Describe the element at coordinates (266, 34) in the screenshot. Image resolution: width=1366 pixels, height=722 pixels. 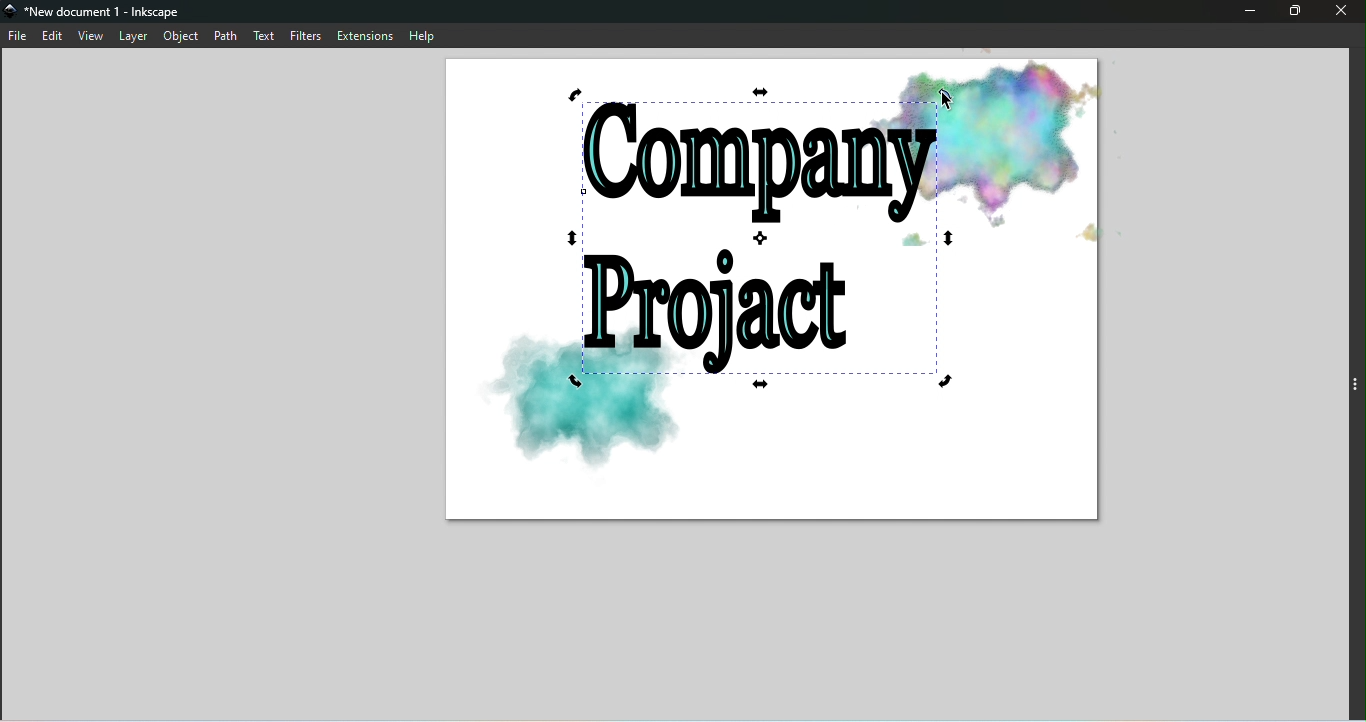
I see `Text` at that location.